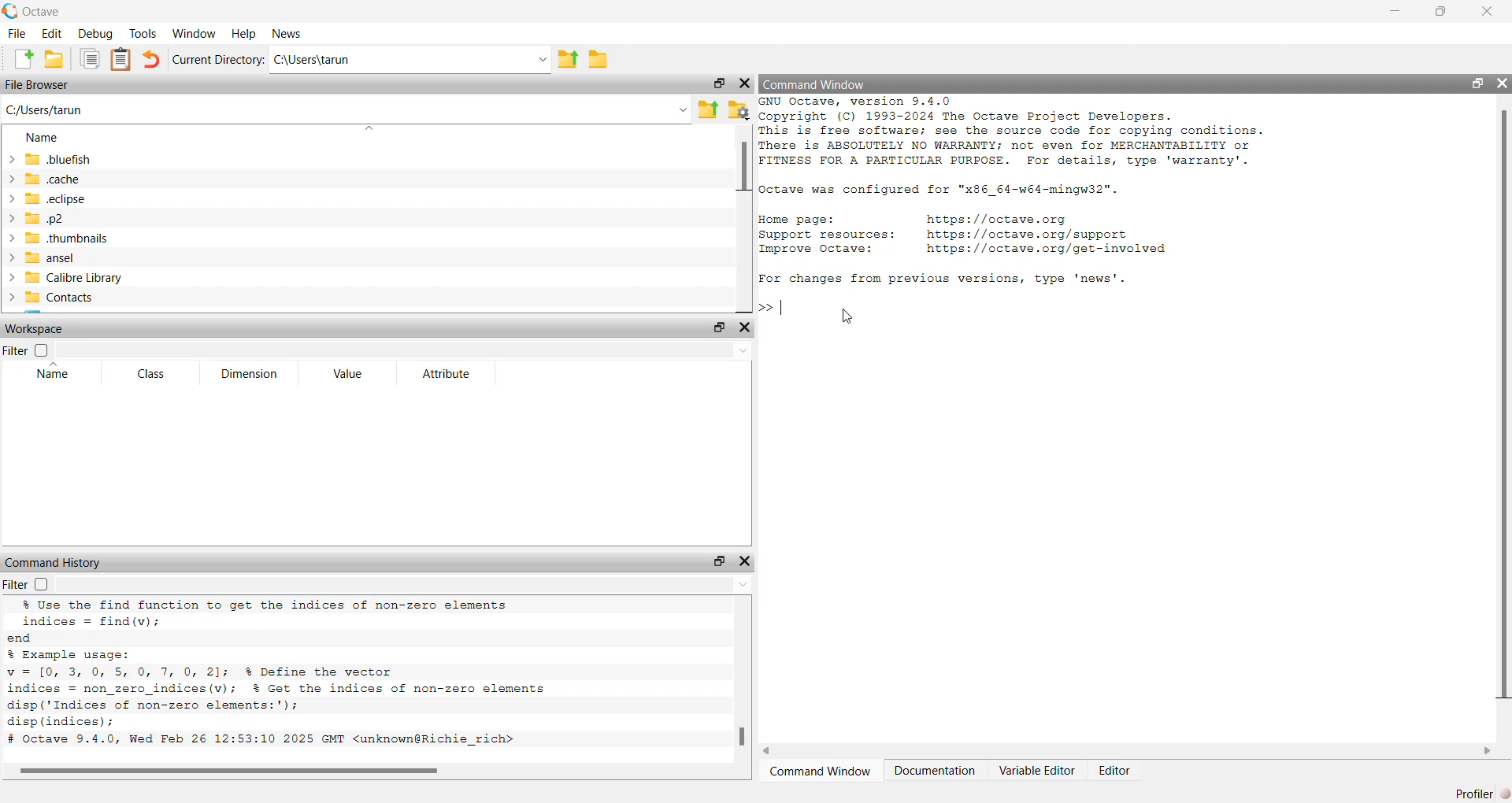 The image size is (1512, 803). What do you see at coordinates (719, 328) in the screenshot?
I see `restore down` at bounding box center [719, 328].